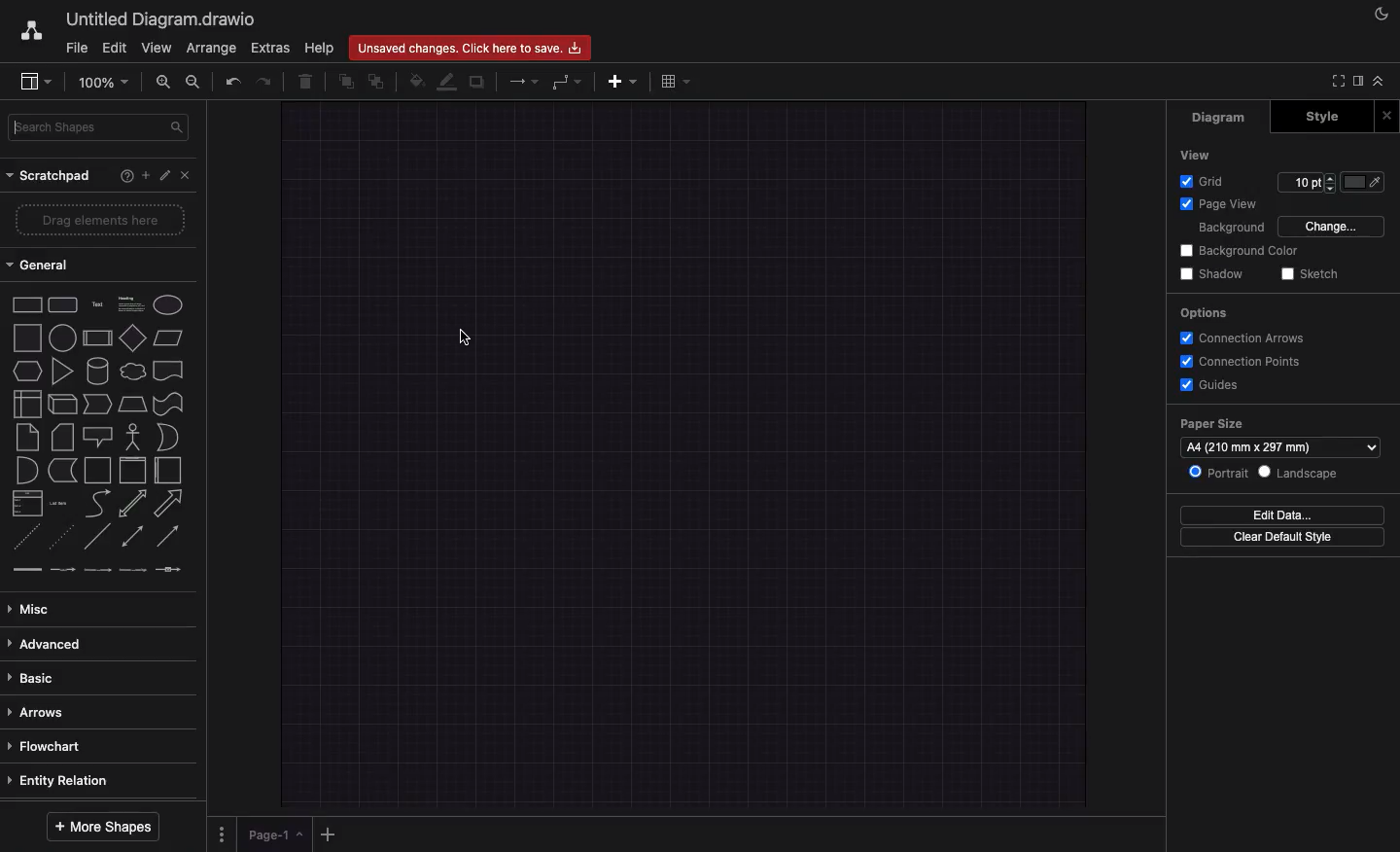 The height and width of the screenshot is (852, 1400). I want to click on Trash, so click(307, 84).